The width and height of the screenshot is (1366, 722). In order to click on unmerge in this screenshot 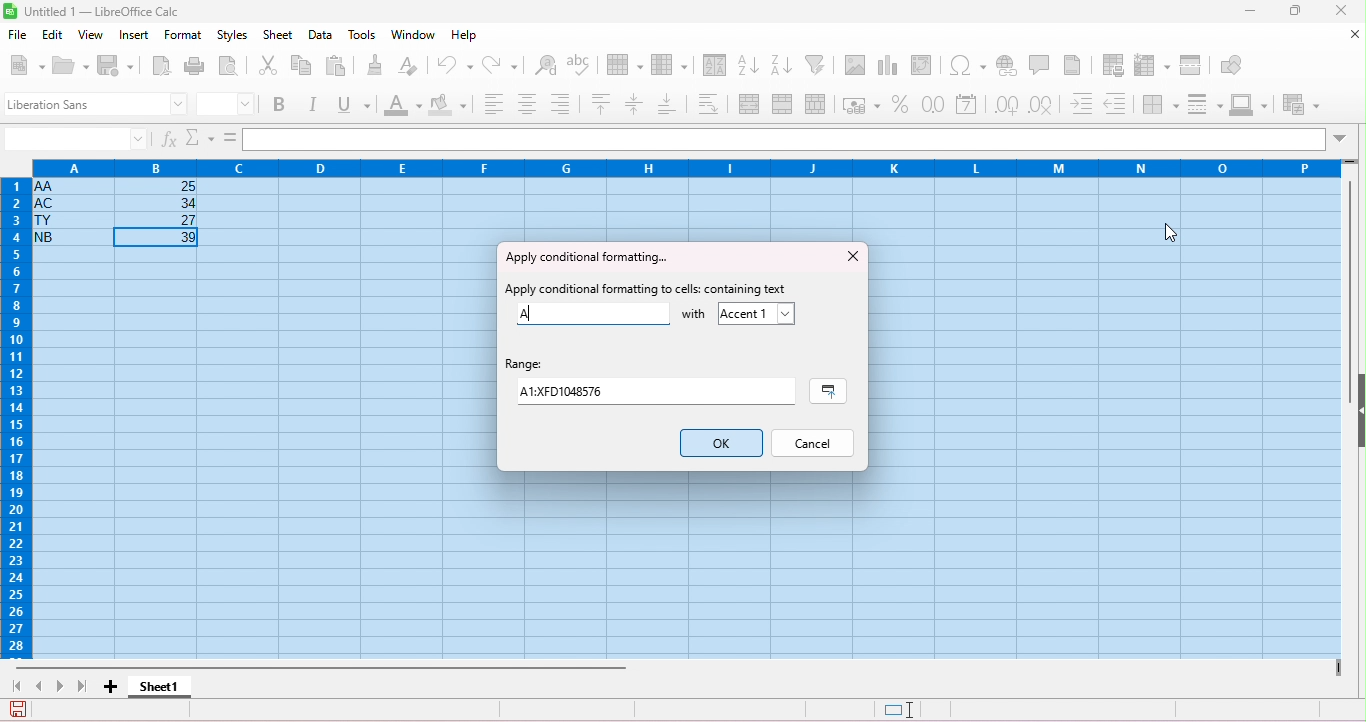, I will do `click(813, 103)`.